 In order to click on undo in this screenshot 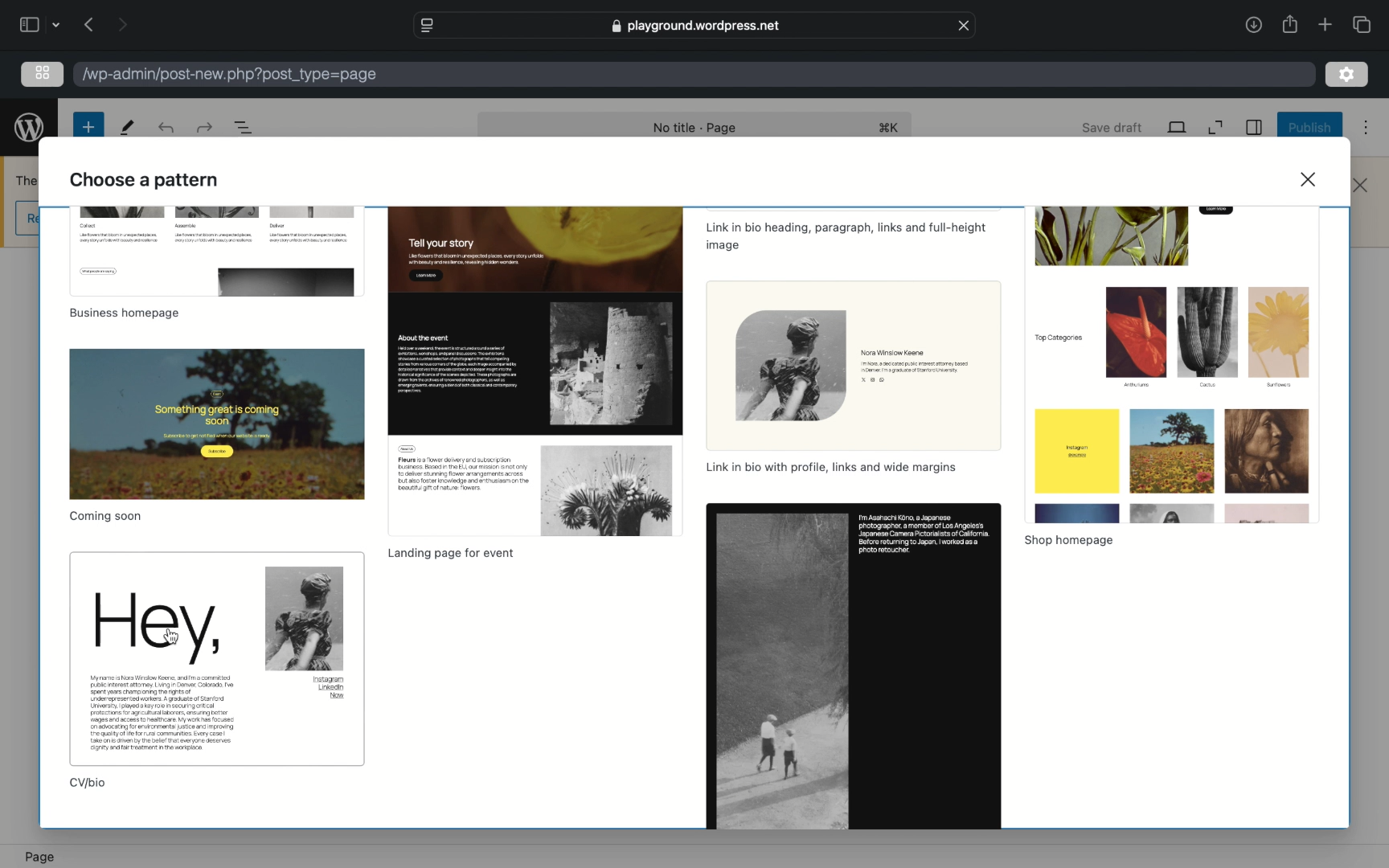, I will do `click(203, 127)`.